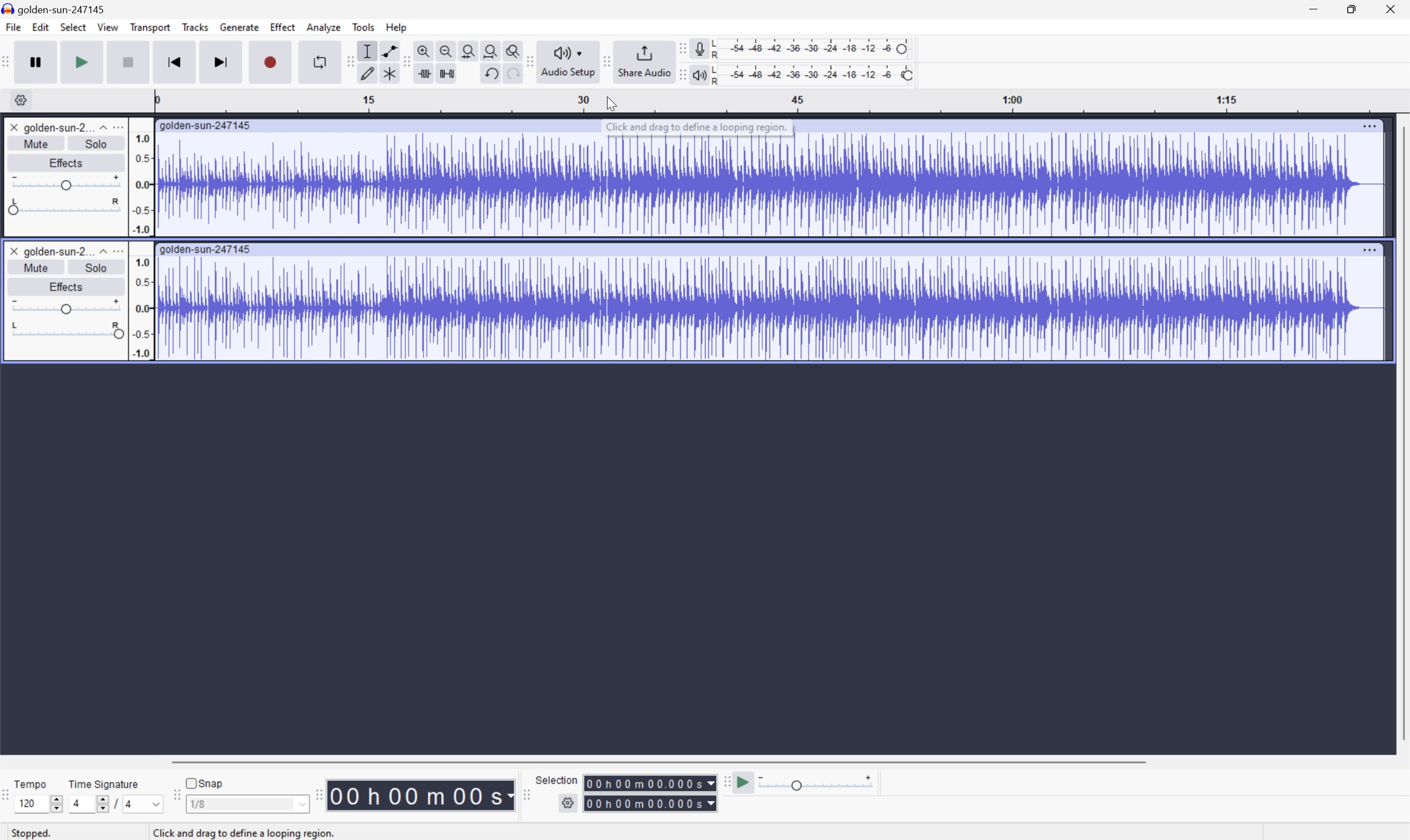  I want to click on Help, so click(398, 27).